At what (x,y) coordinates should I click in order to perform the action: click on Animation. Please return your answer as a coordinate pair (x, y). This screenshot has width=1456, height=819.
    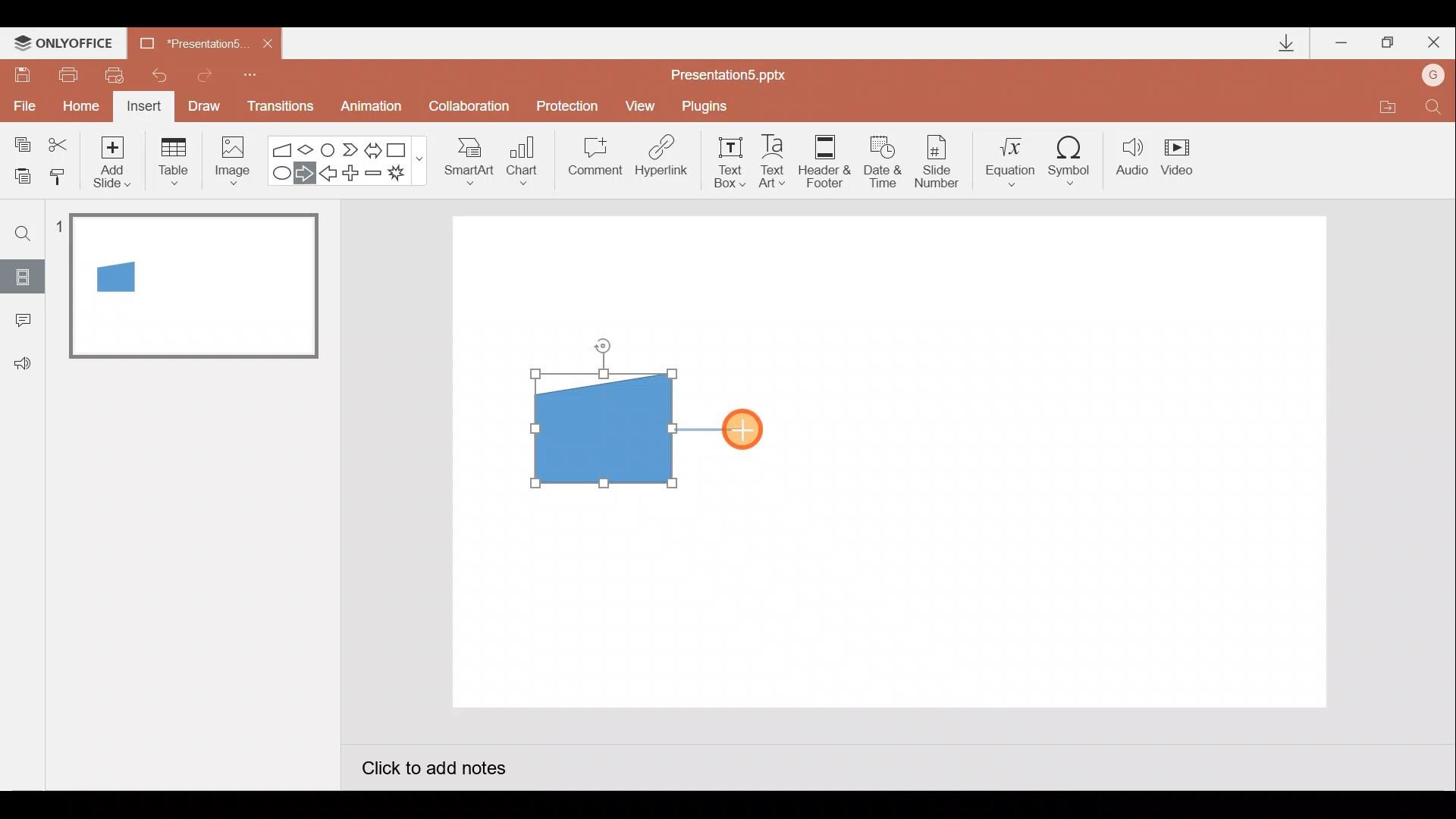
    Looking at the image, I should click on (373, 108).